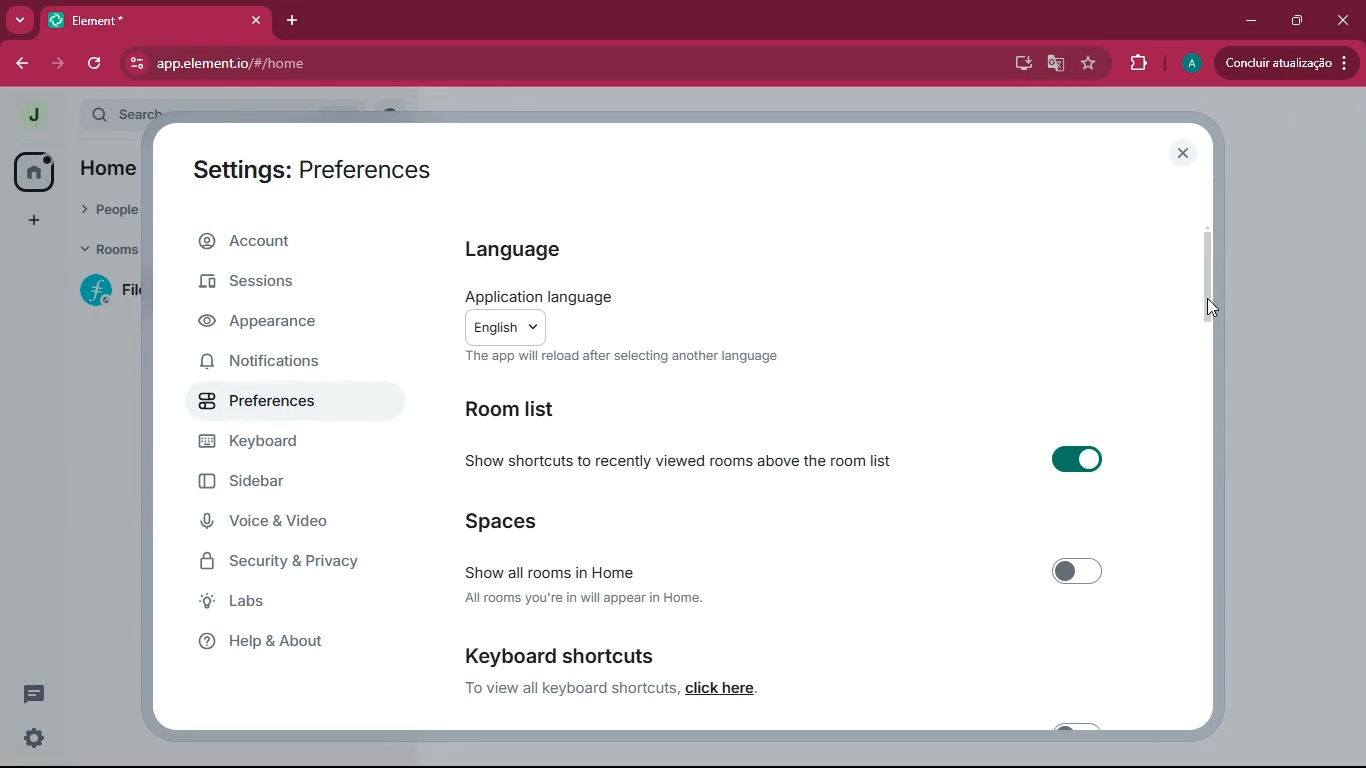 The width and height of the screenshot is (1366, 768). I want to click on google translate, so click(1055, 67).